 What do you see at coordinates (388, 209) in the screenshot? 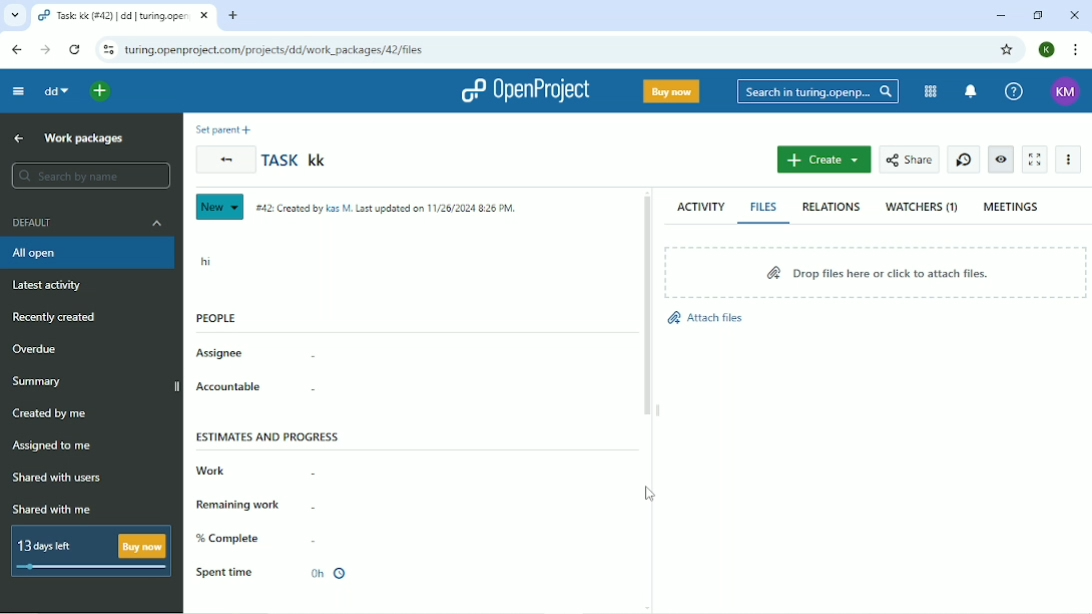
I see `#42: Created by kas M. Last updated on 11/26/2024 8:26 PM.` at bounding box center [388, 209].